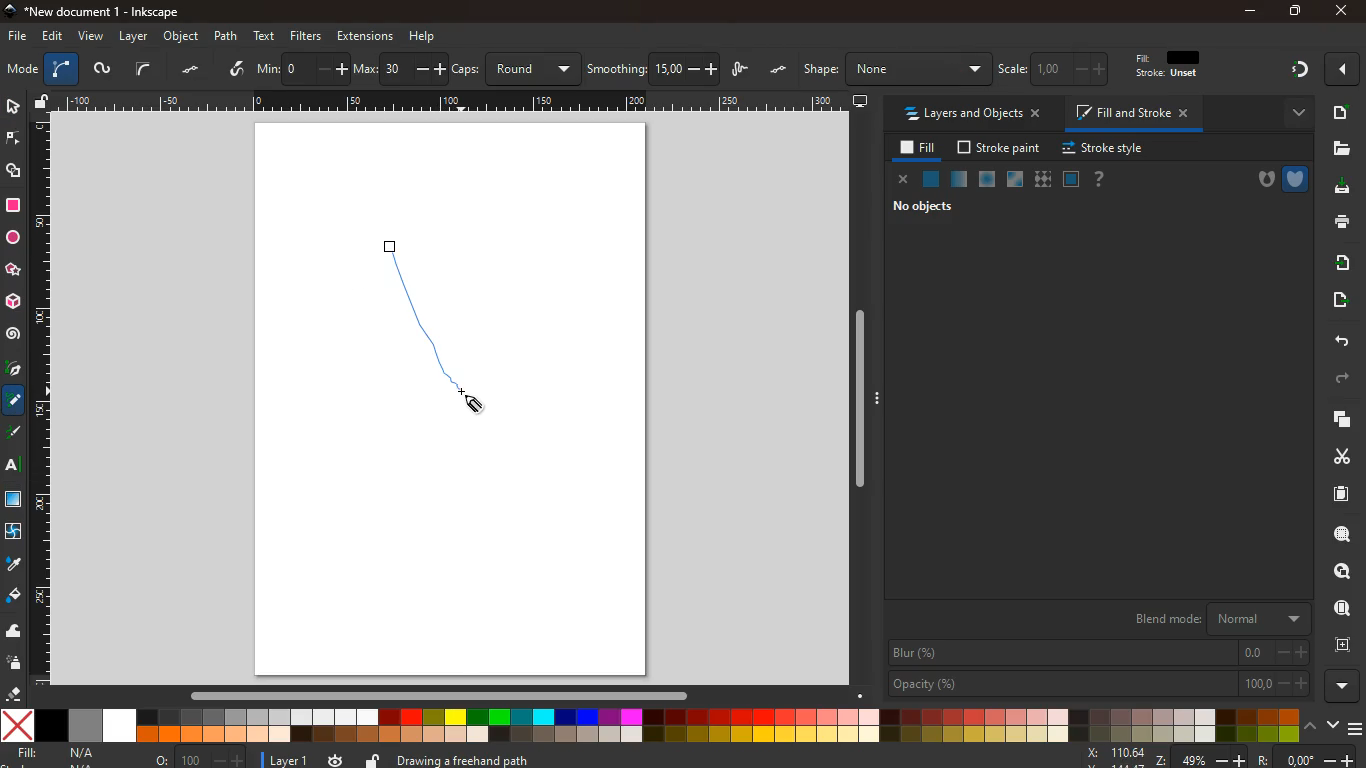 This screenshot has height=768, width=1366. I want to click on normal, so click(931, 182).